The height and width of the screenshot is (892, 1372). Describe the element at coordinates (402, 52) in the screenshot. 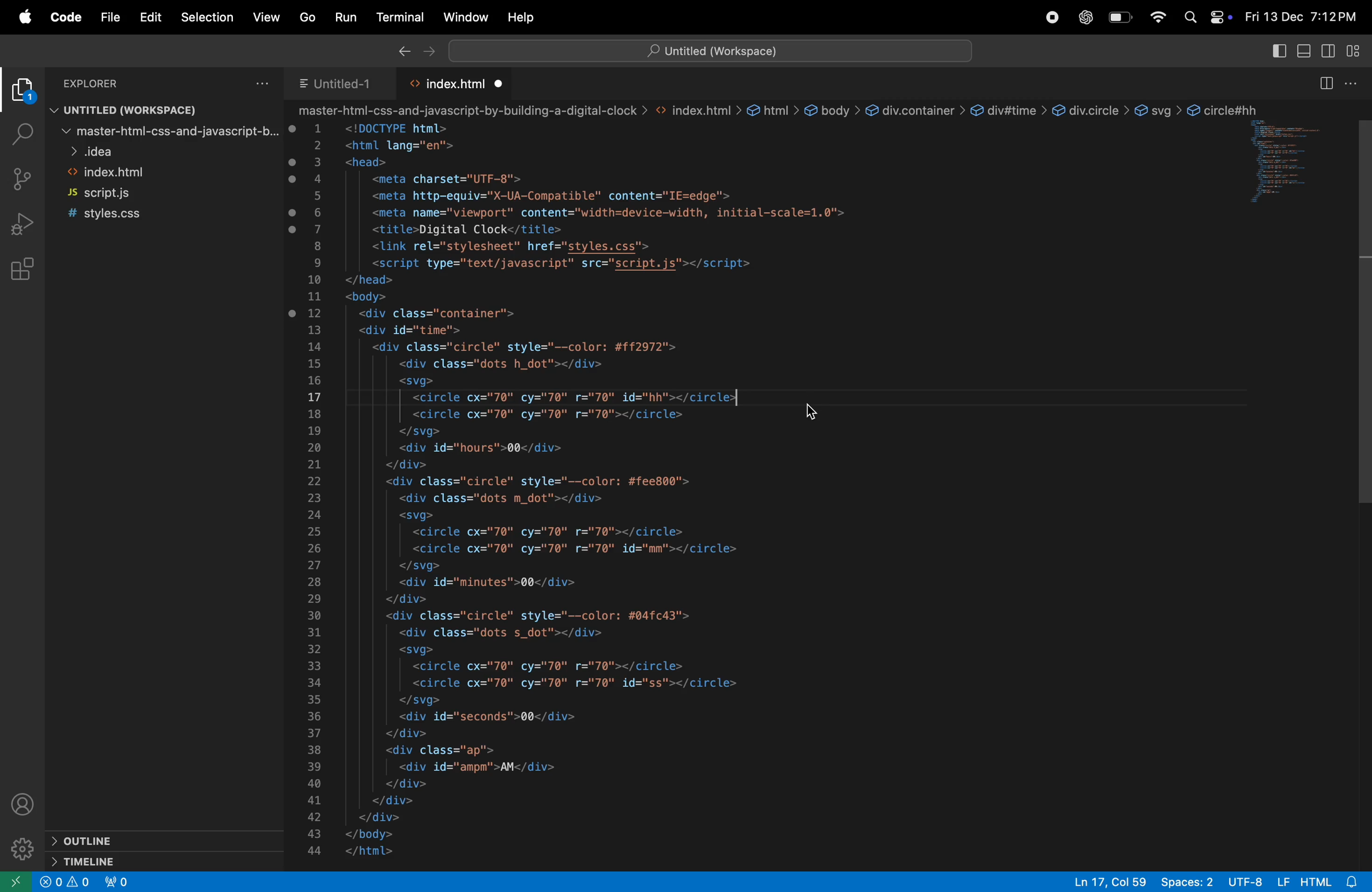

I see `back ward` at that location.